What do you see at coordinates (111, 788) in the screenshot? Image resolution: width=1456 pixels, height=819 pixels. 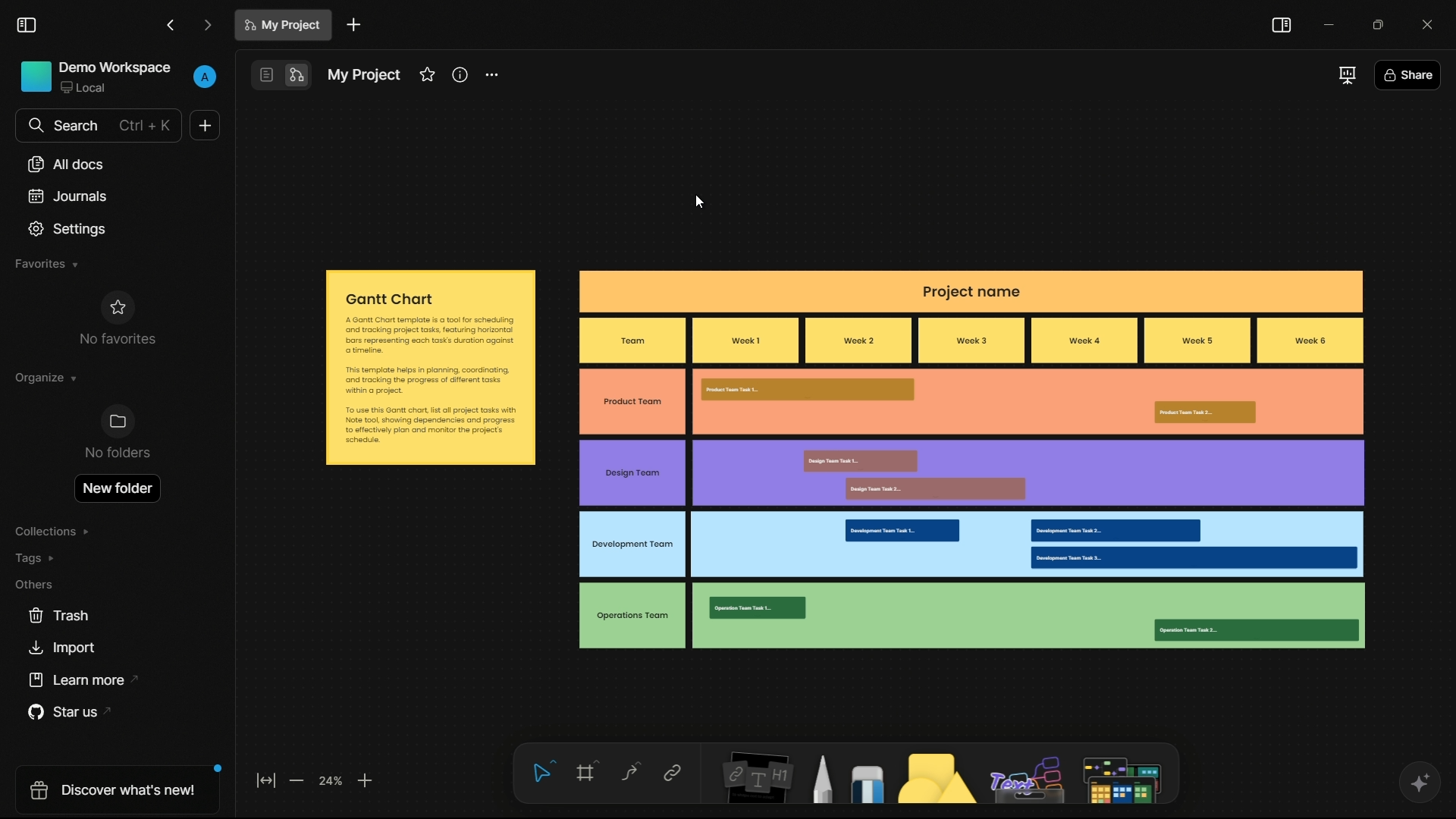 I see `discover what's new` at bounding box center [111, 788].